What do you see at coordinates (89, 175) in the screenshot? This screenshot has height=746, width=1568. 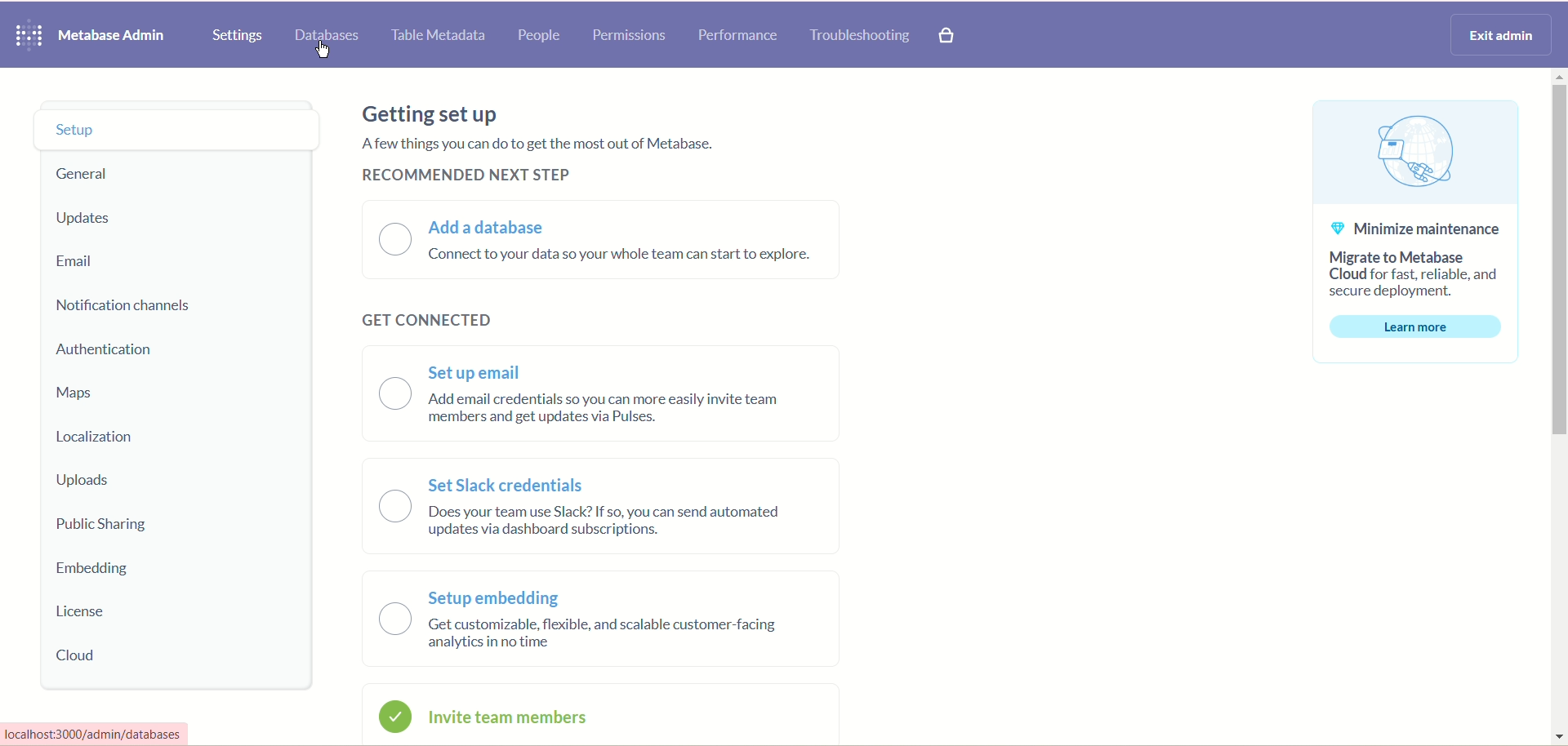 I see `general` at bounding box center [89, 175].